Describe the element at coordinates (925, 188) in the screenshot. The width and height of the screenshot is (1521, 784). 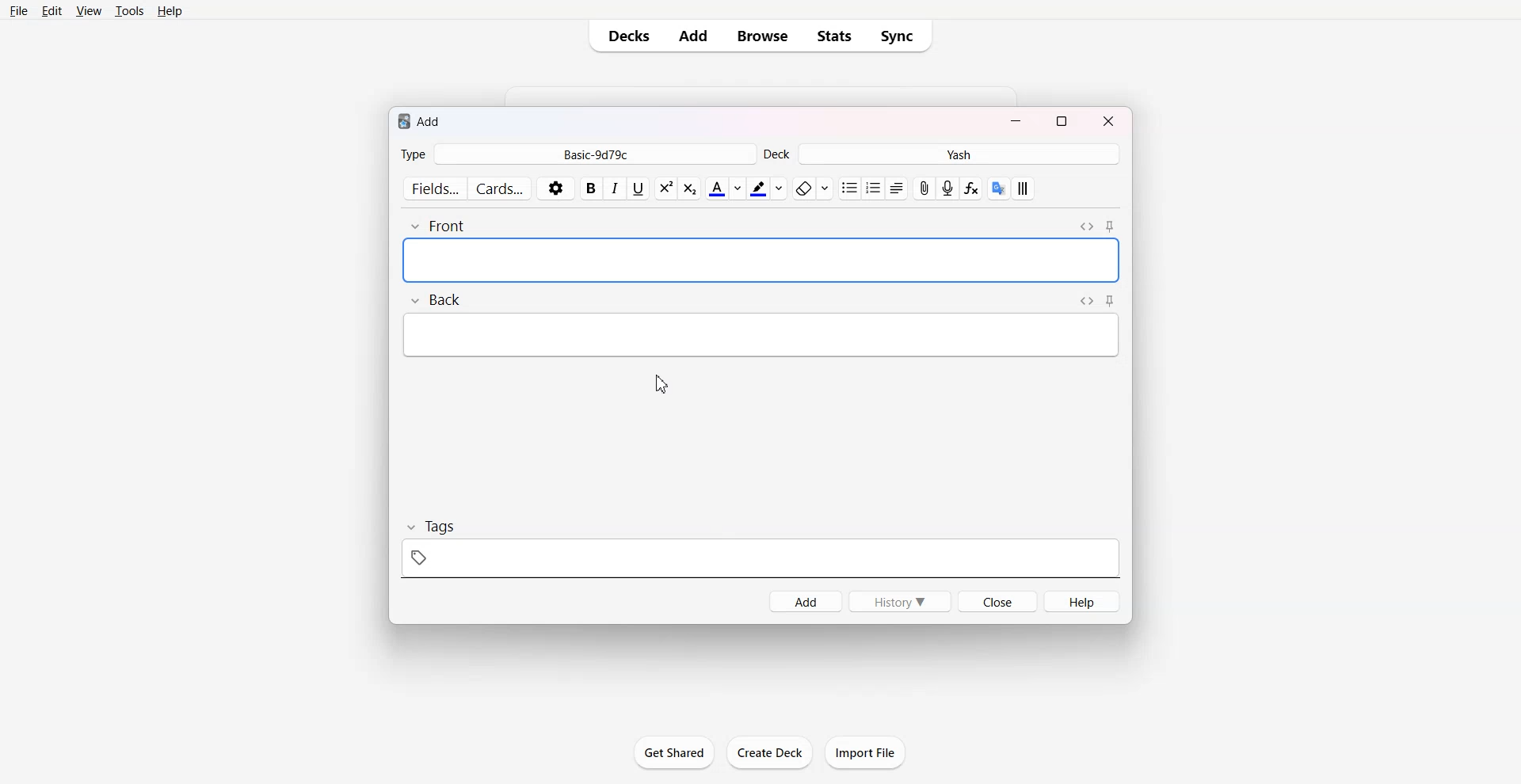
I see `Attach File` at that location.